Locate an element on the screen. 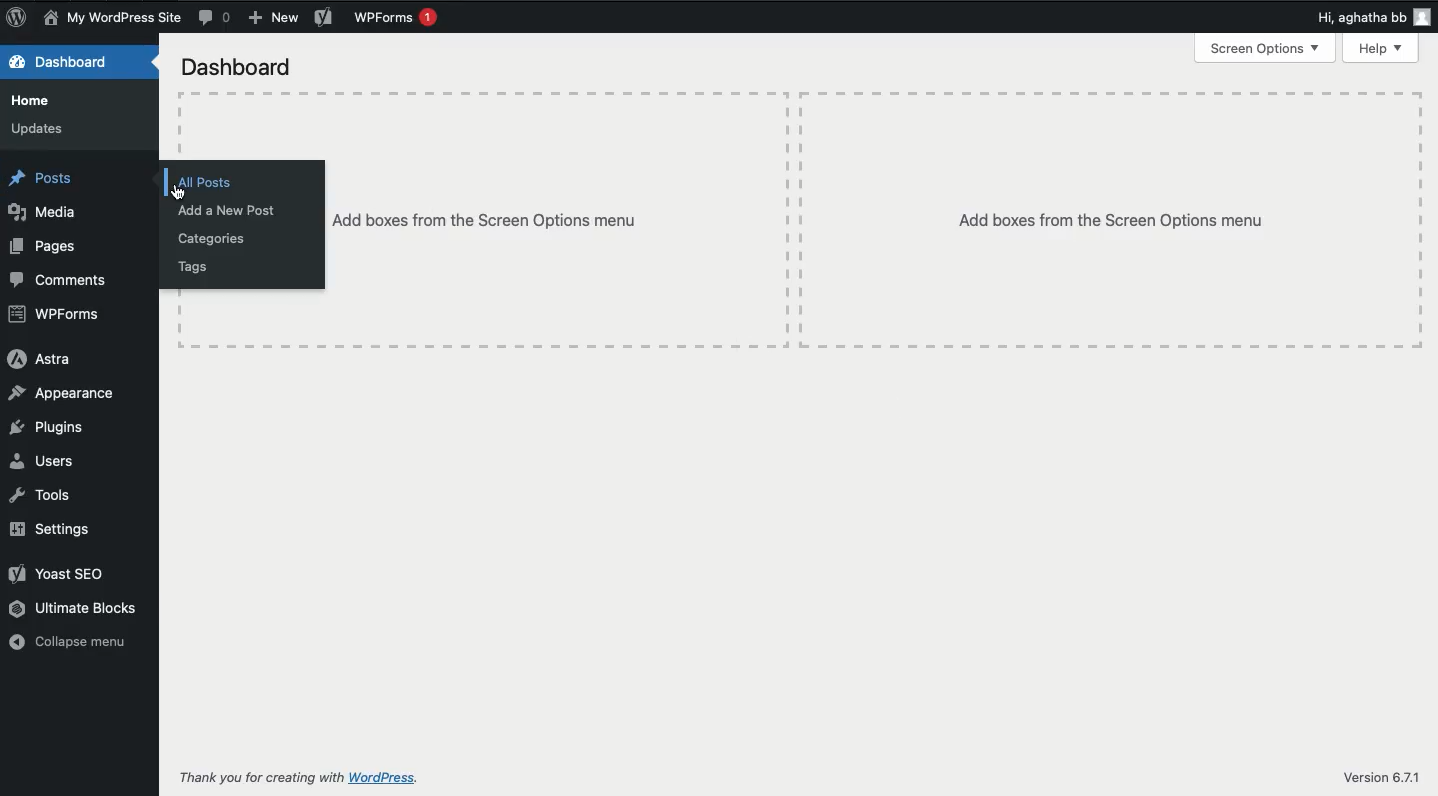 This screenshot has height=796, width=1438. Comments is located at coordinates (216, 18).